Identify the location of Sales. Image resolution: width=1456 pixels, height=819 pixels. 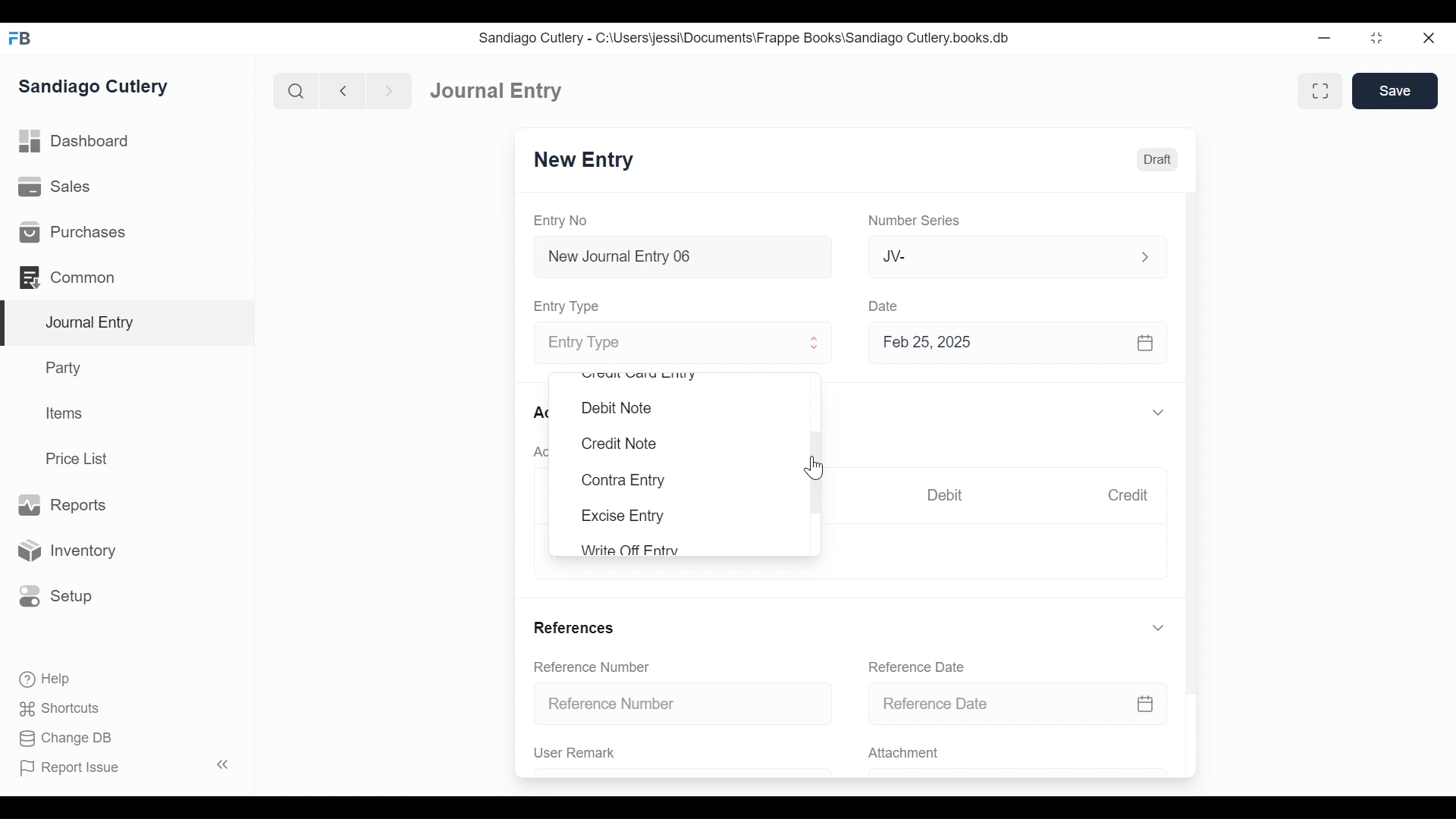
(60, 187).